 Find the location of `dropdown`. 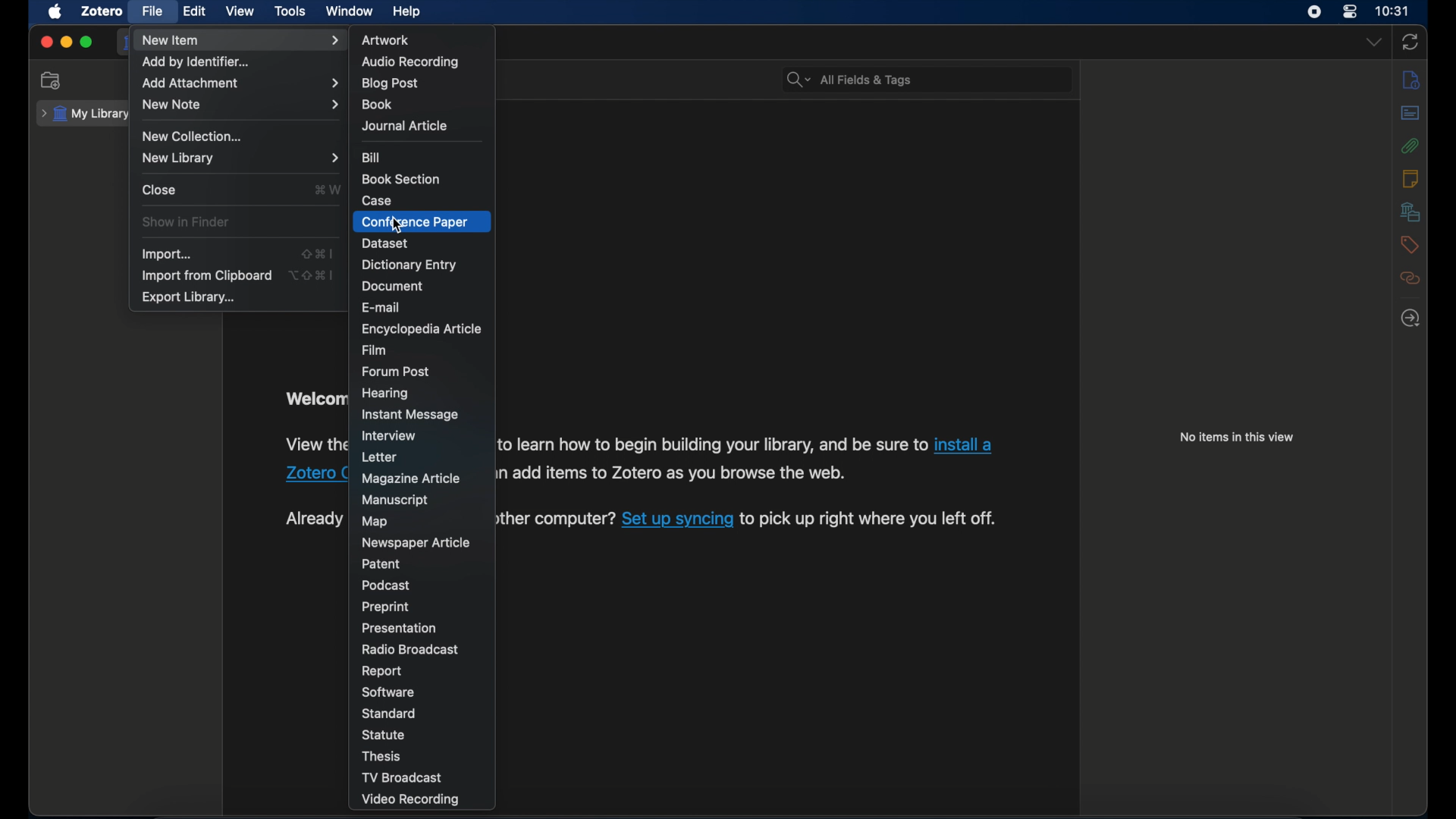

dropdown is located at coordinates (1375, 42).